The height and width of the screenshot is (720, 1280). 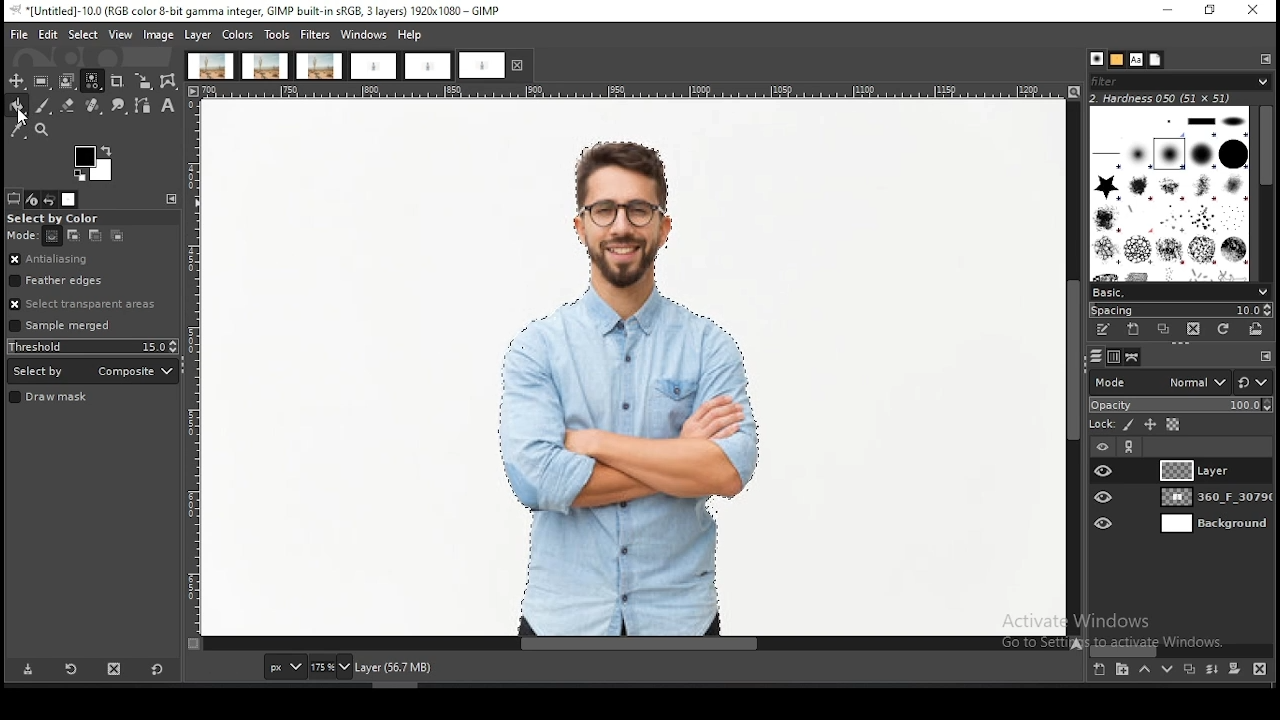 What do you see at coordinates (172, 198) in the screenshot?
I see `configure this tab` at bounding box center [172, 198].